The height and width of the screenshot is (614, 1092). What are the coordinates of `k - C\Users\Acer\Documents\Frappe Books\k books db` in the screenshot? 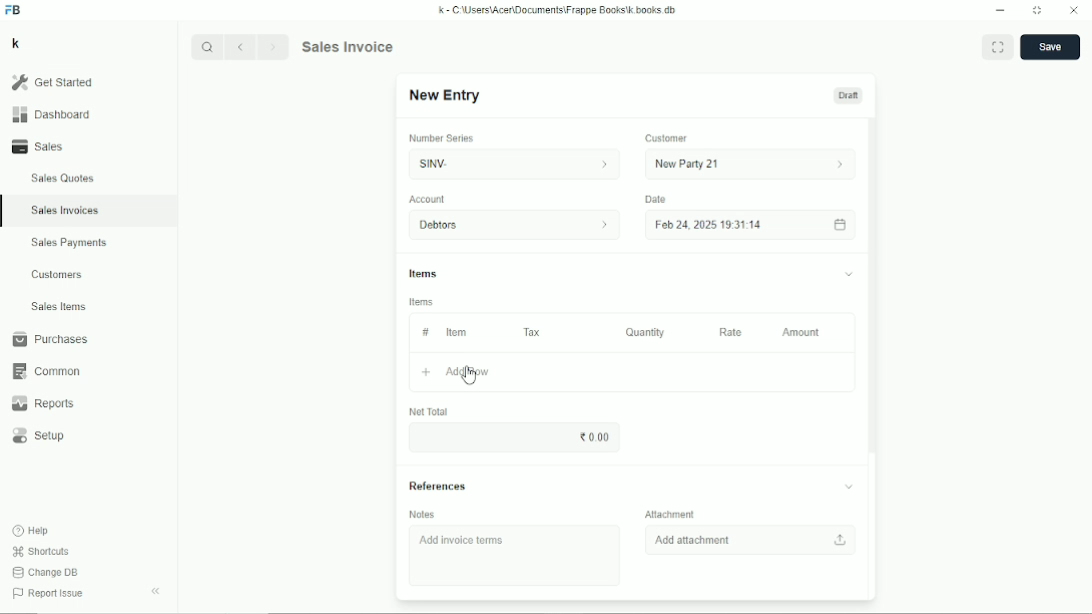 It's located at (559, 9).